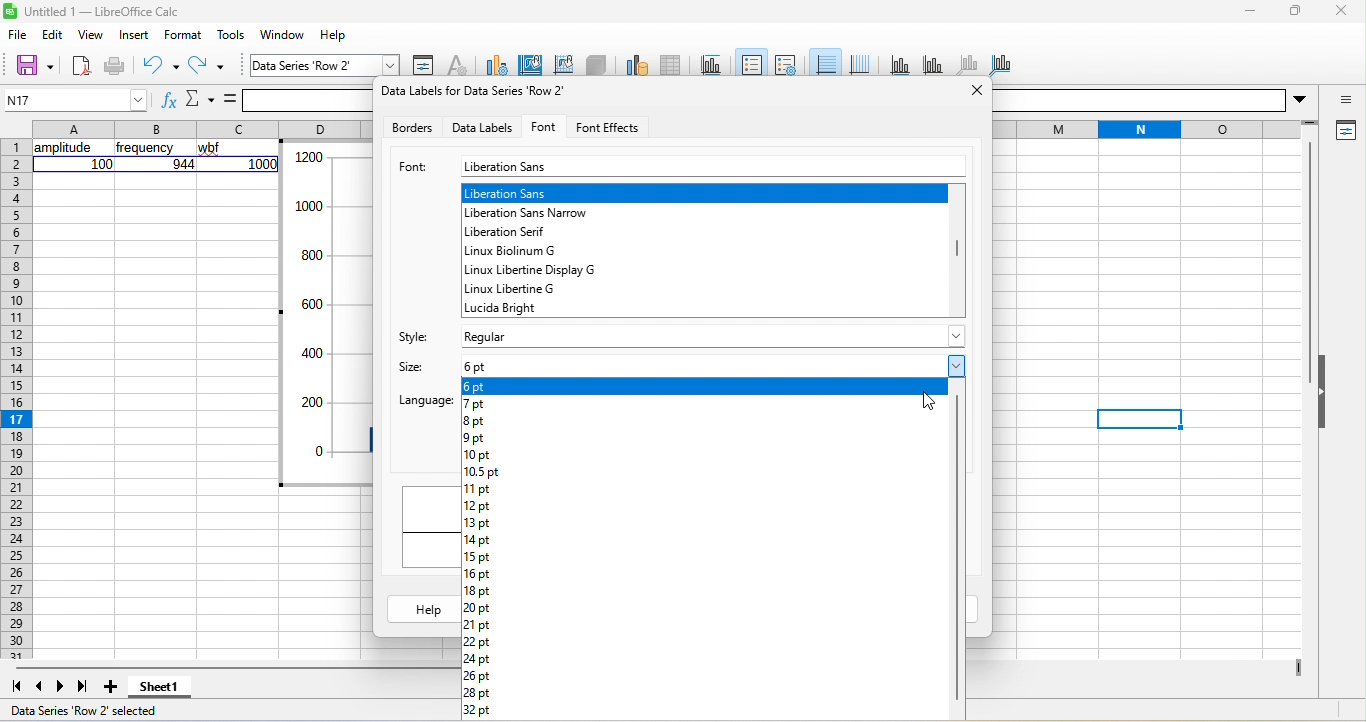  I want to click on liberation serif, so click(515, 232).